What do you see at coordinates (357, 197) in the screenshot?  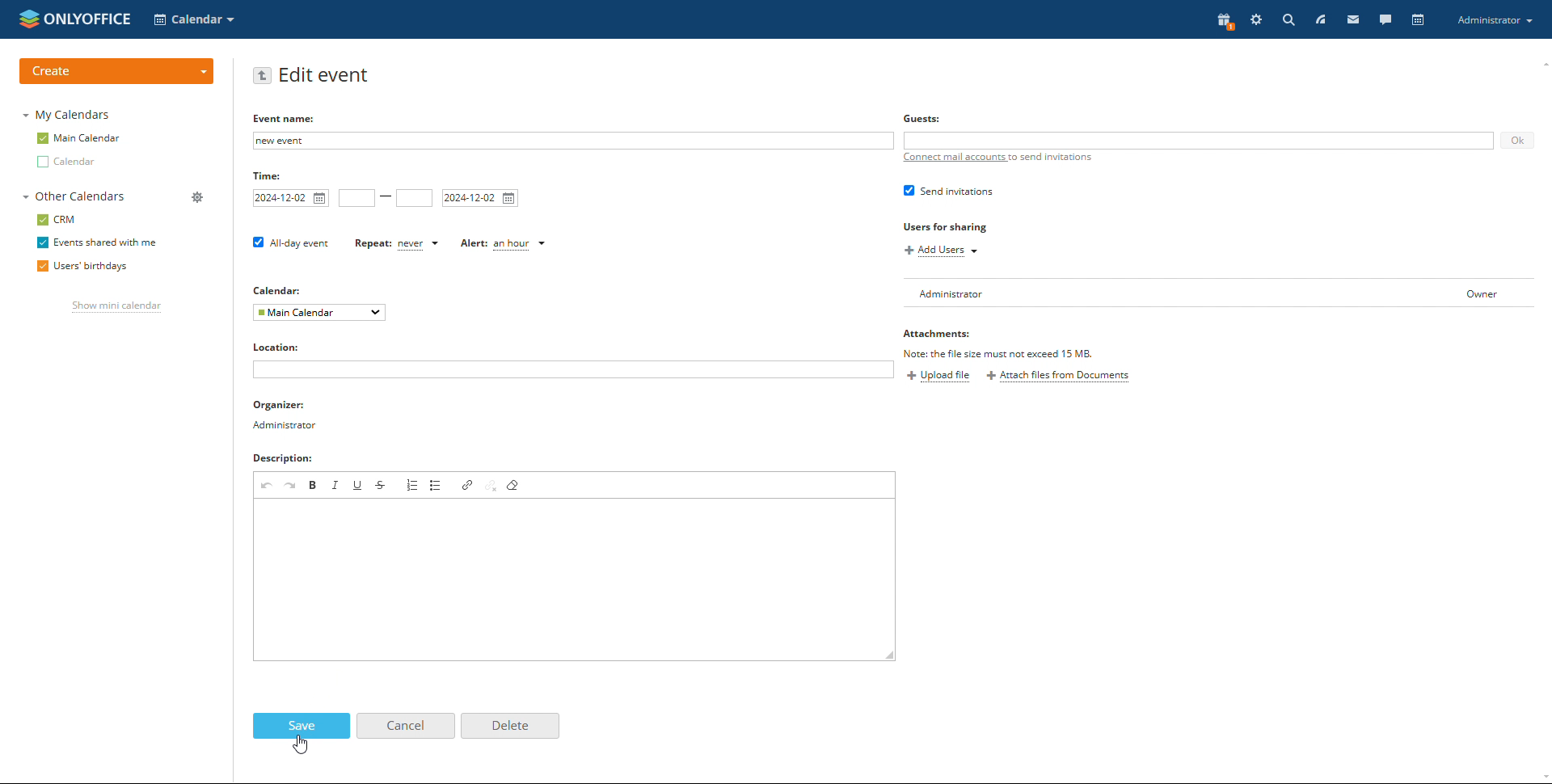 I see `start time` at bounding box center [357, 197].